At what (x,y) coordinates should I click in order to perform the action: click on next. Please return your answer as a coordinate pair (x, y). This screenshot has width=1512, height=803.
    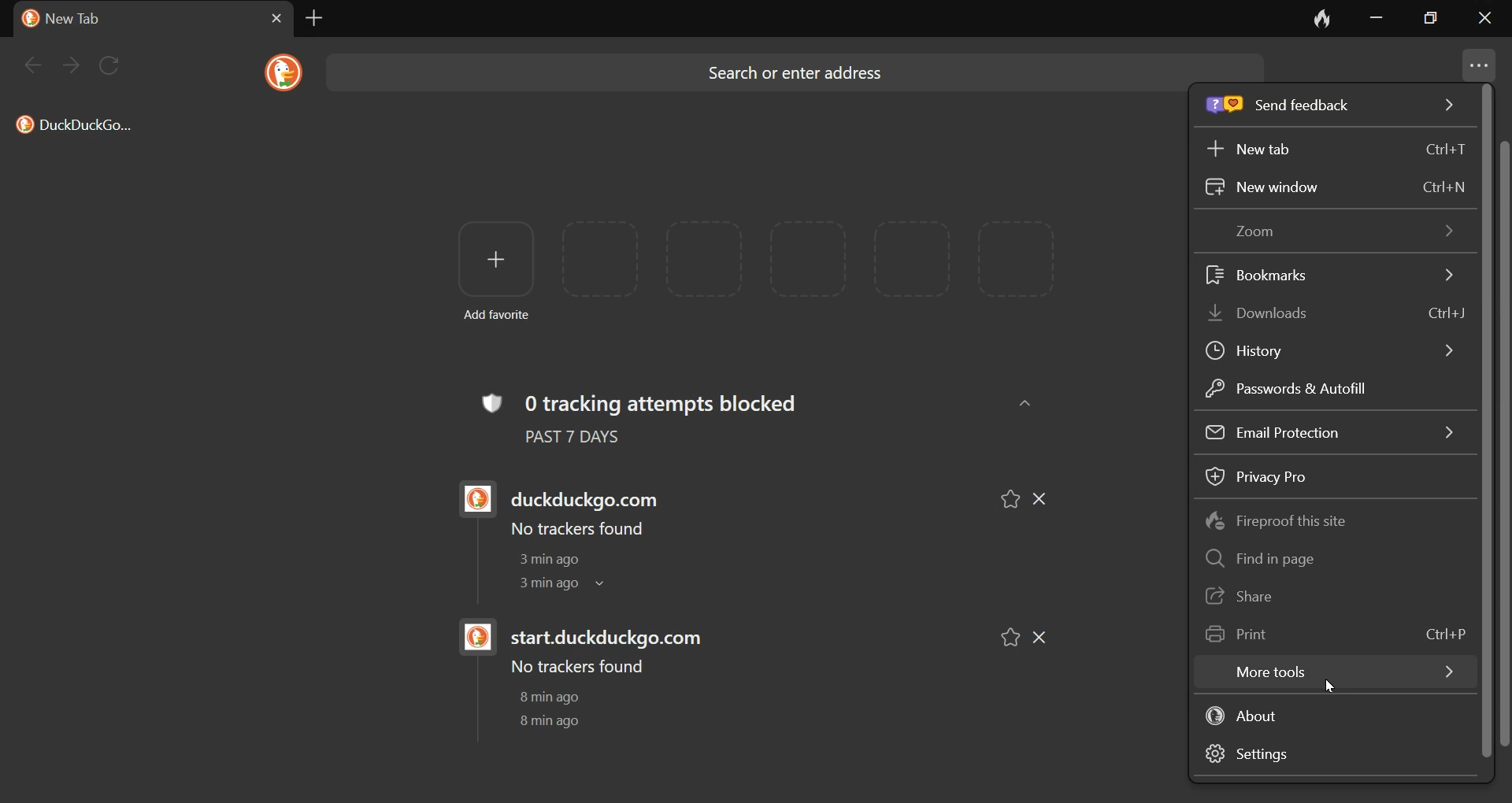
    Looking at the image, I should click on (72, 66).